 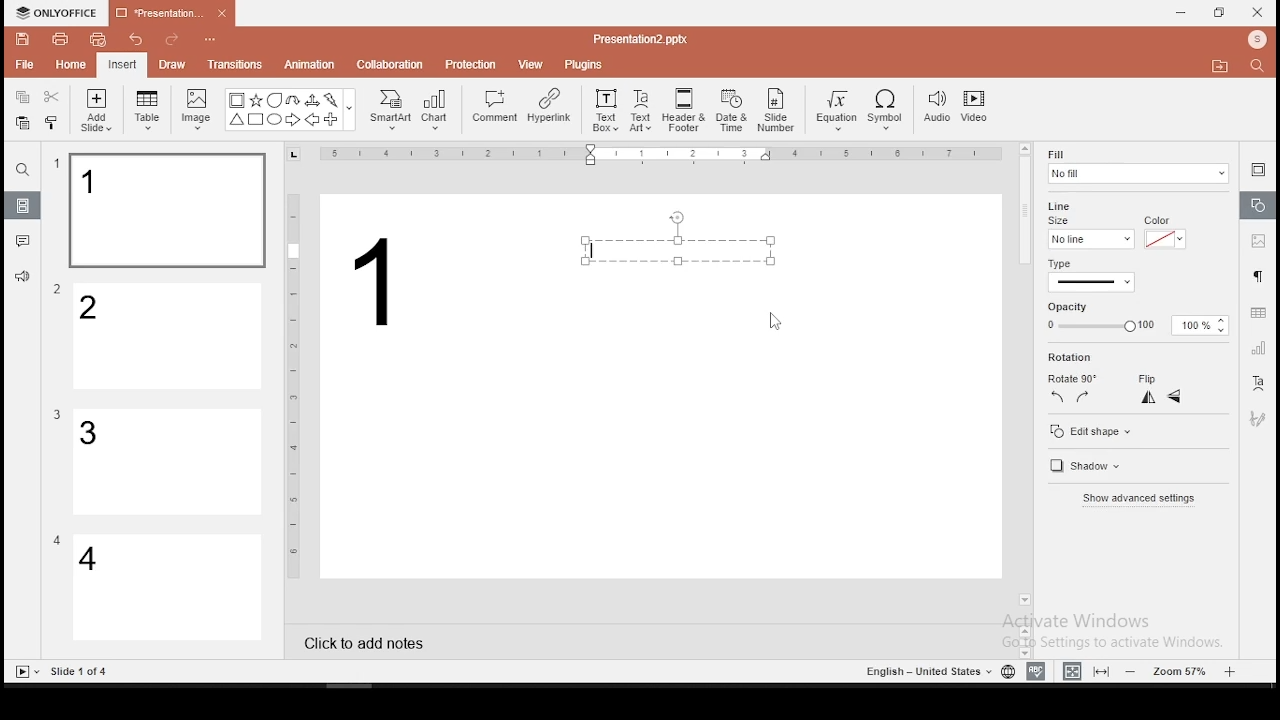 I want to click on video, so click(x=974, y=109).